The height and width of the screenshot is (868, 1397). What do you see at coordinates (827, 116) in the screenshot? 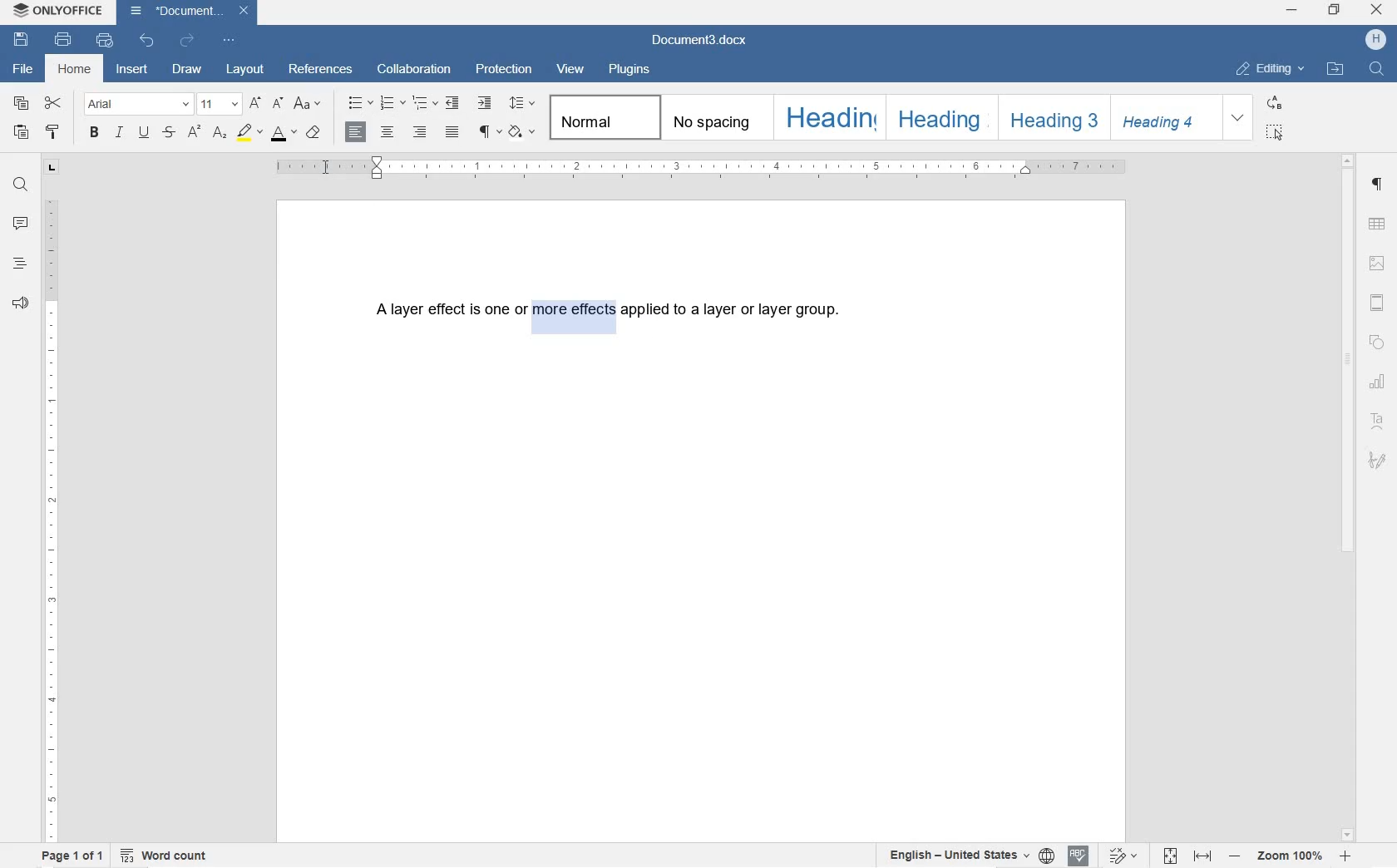
I see `HEADING 1` at bounding box center [827, 116].